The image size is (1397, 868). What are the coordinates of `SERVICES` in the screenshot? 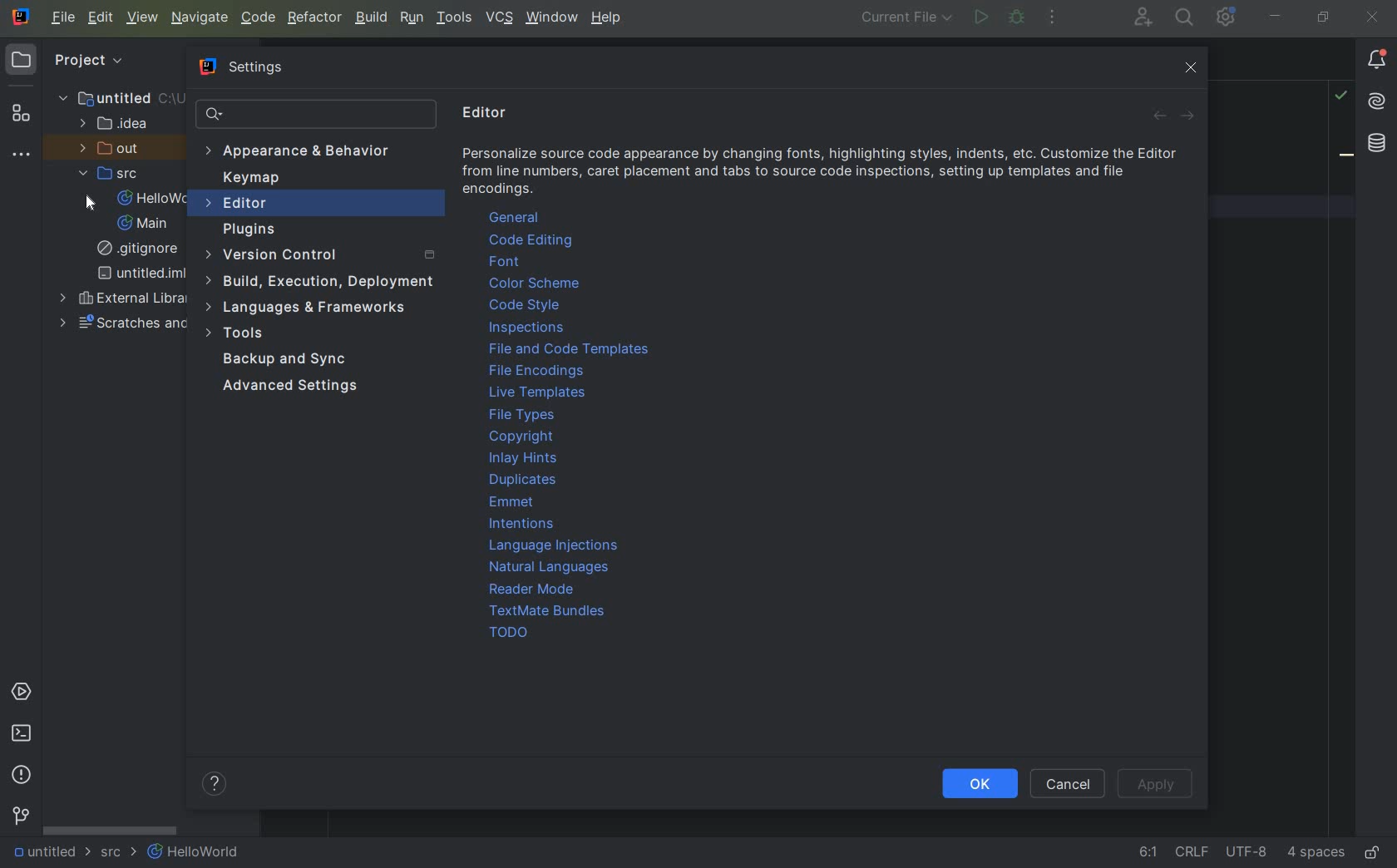 It's located at (21, 692).